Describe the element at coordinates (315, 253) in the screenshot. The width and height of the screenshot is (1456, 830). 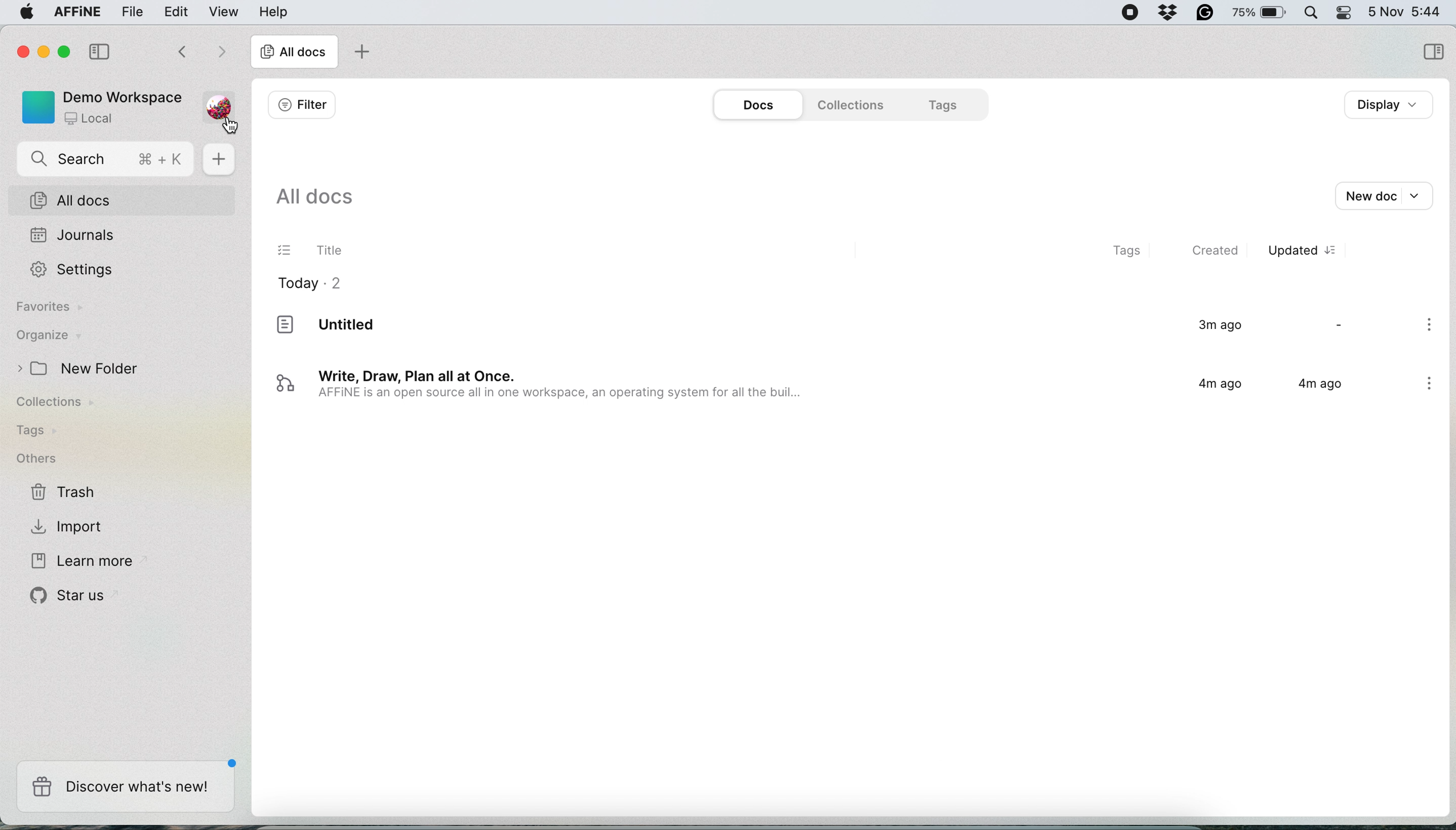
I see `title` at that location.